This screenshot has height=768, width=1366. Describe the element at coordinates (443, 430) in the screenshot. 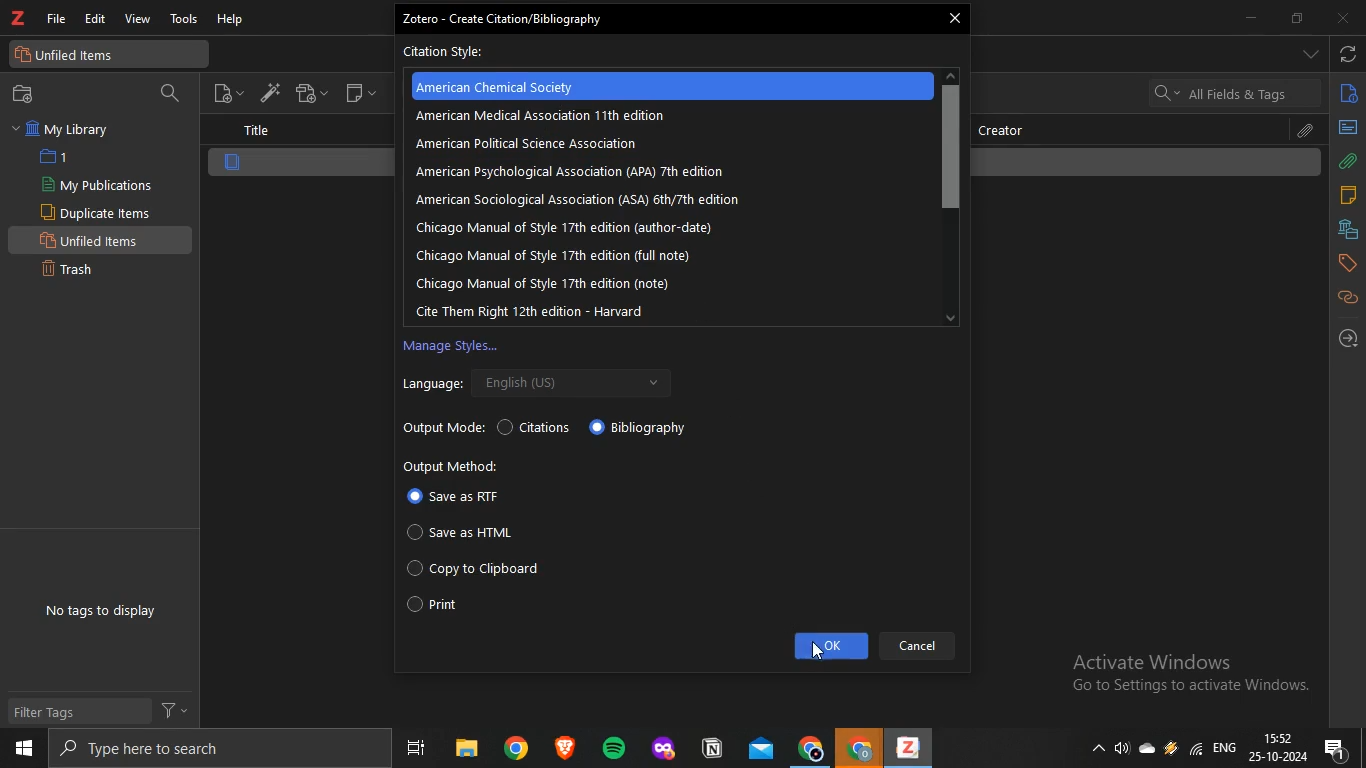

I see `Output Mode:` at that location.